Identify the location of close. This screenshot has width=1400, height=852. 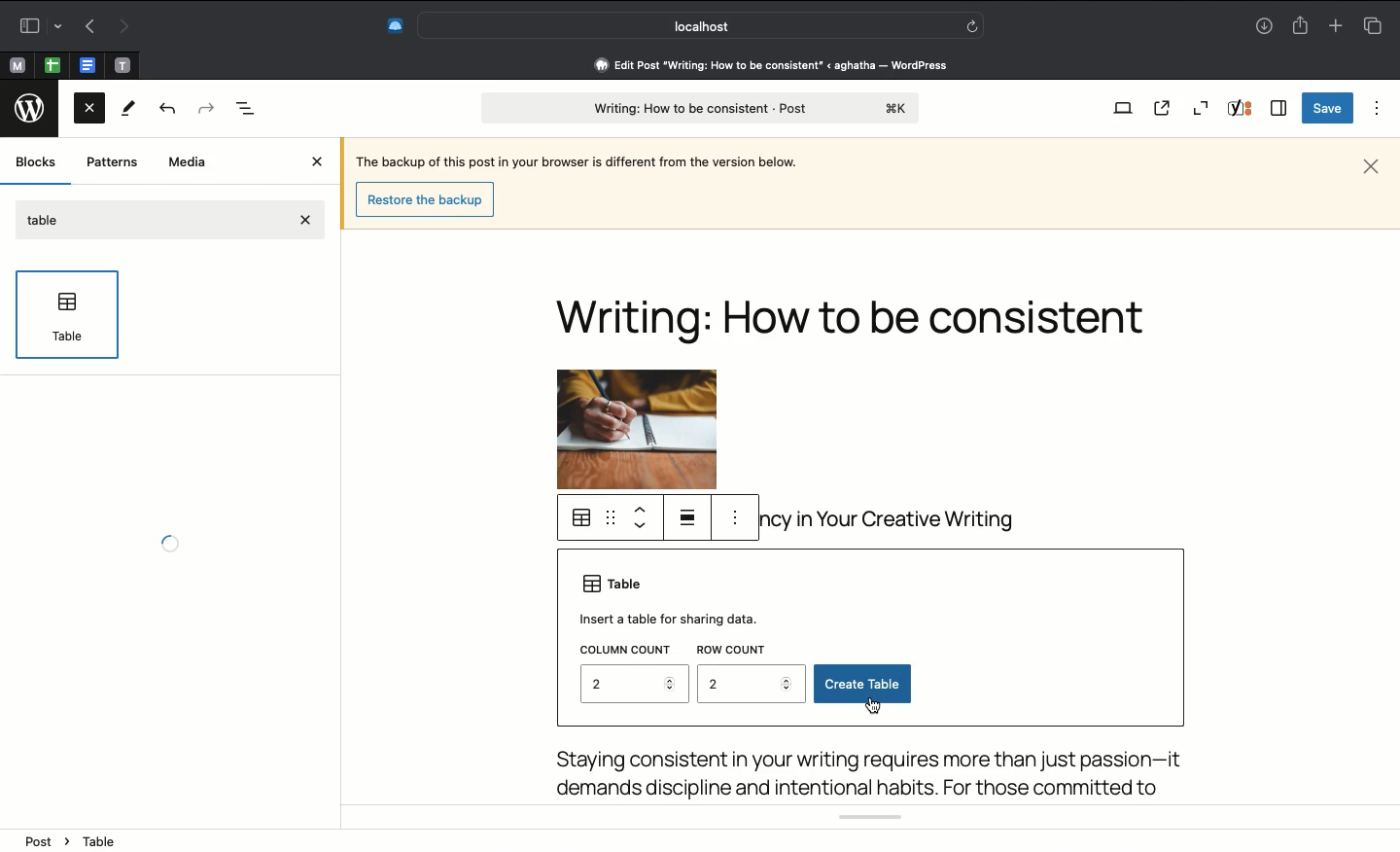
(307, 218).